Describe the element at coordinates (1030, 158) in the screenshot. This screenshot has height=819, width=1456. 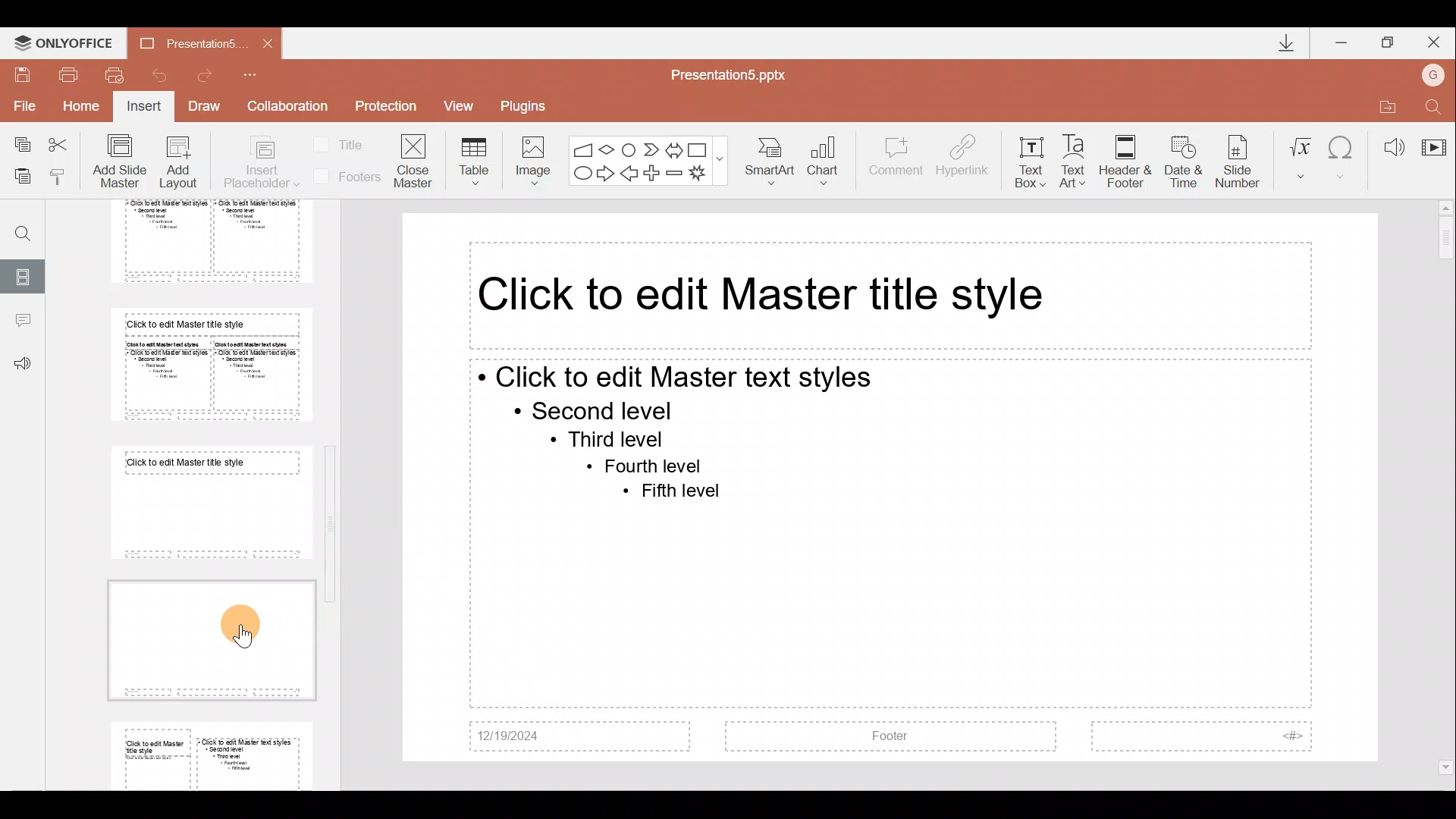
I see `Text box` at that location.